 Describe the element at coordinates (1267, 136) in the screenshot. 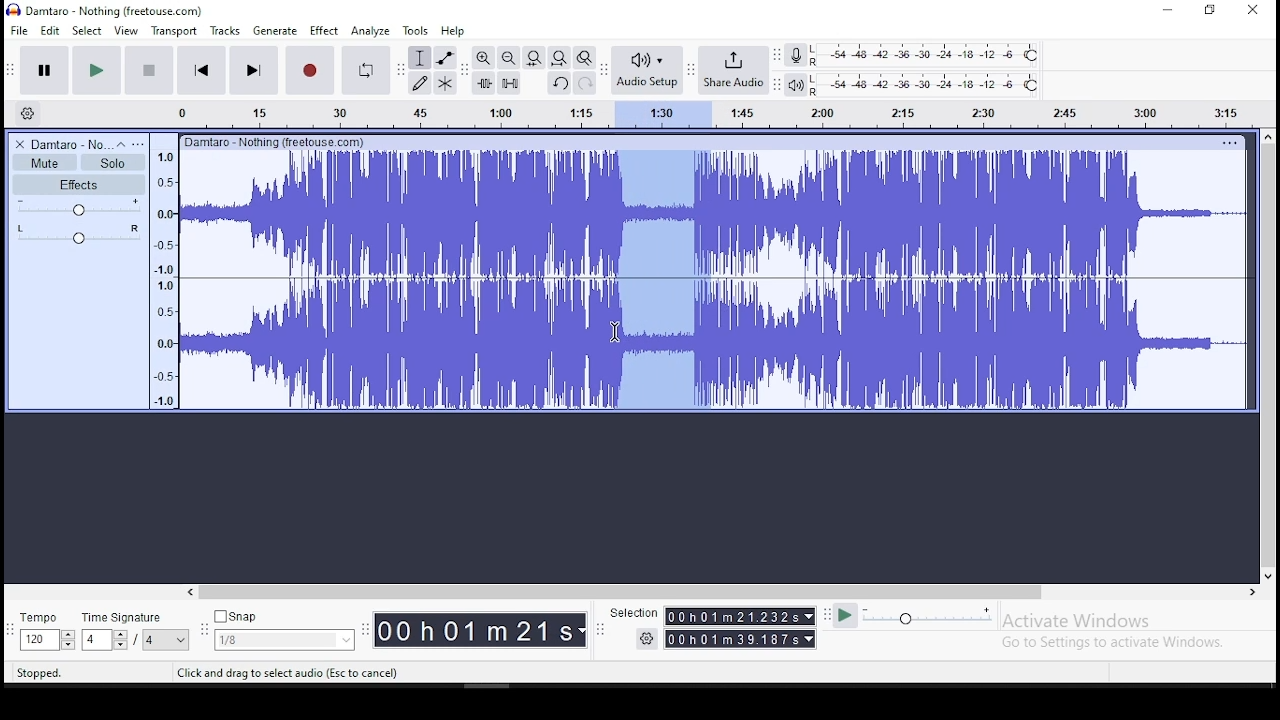

I see `up` at that location.